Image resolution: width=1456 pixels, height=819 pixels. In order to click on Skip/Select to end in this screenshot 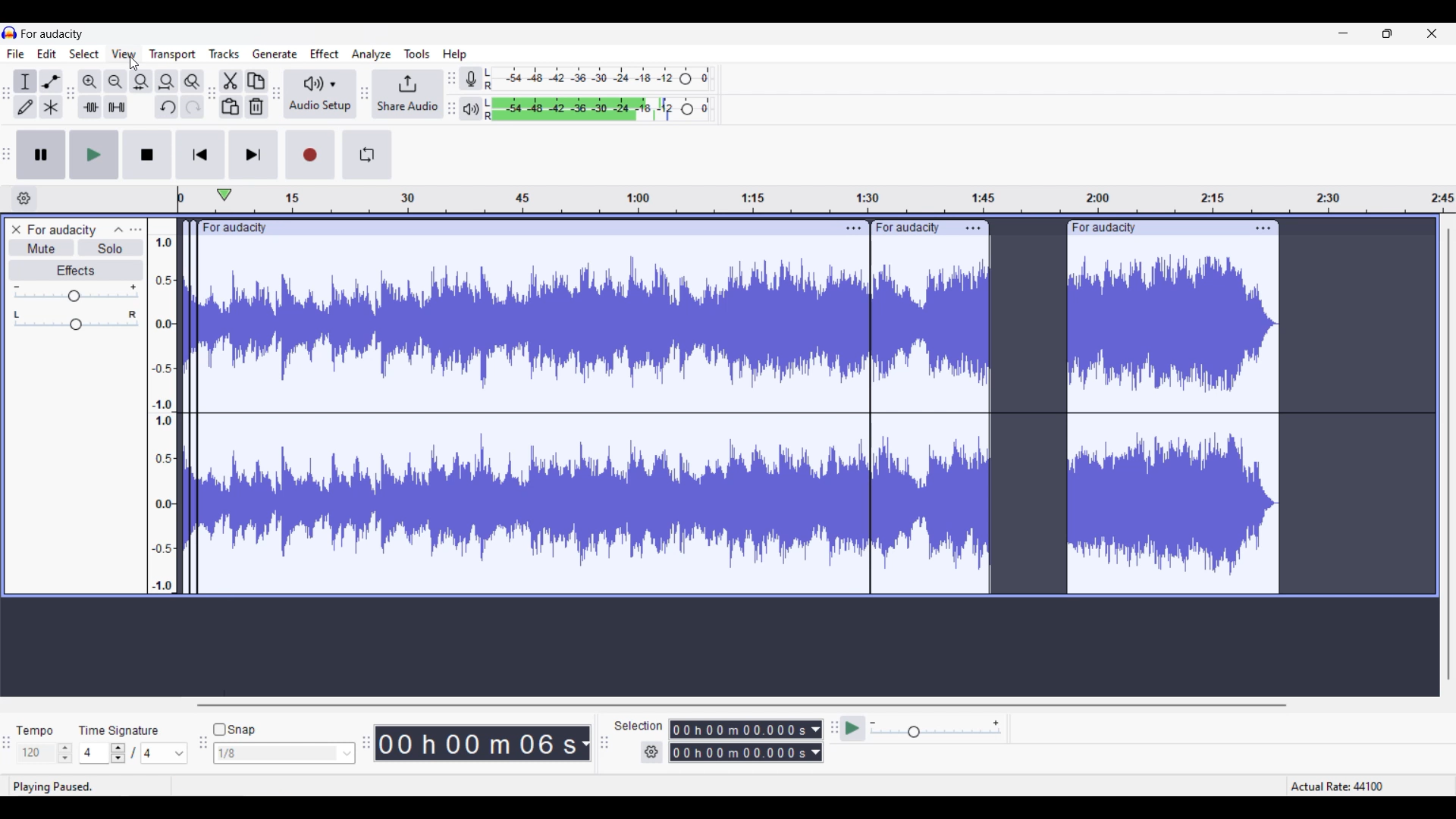, I will do `click(253, 155)`.